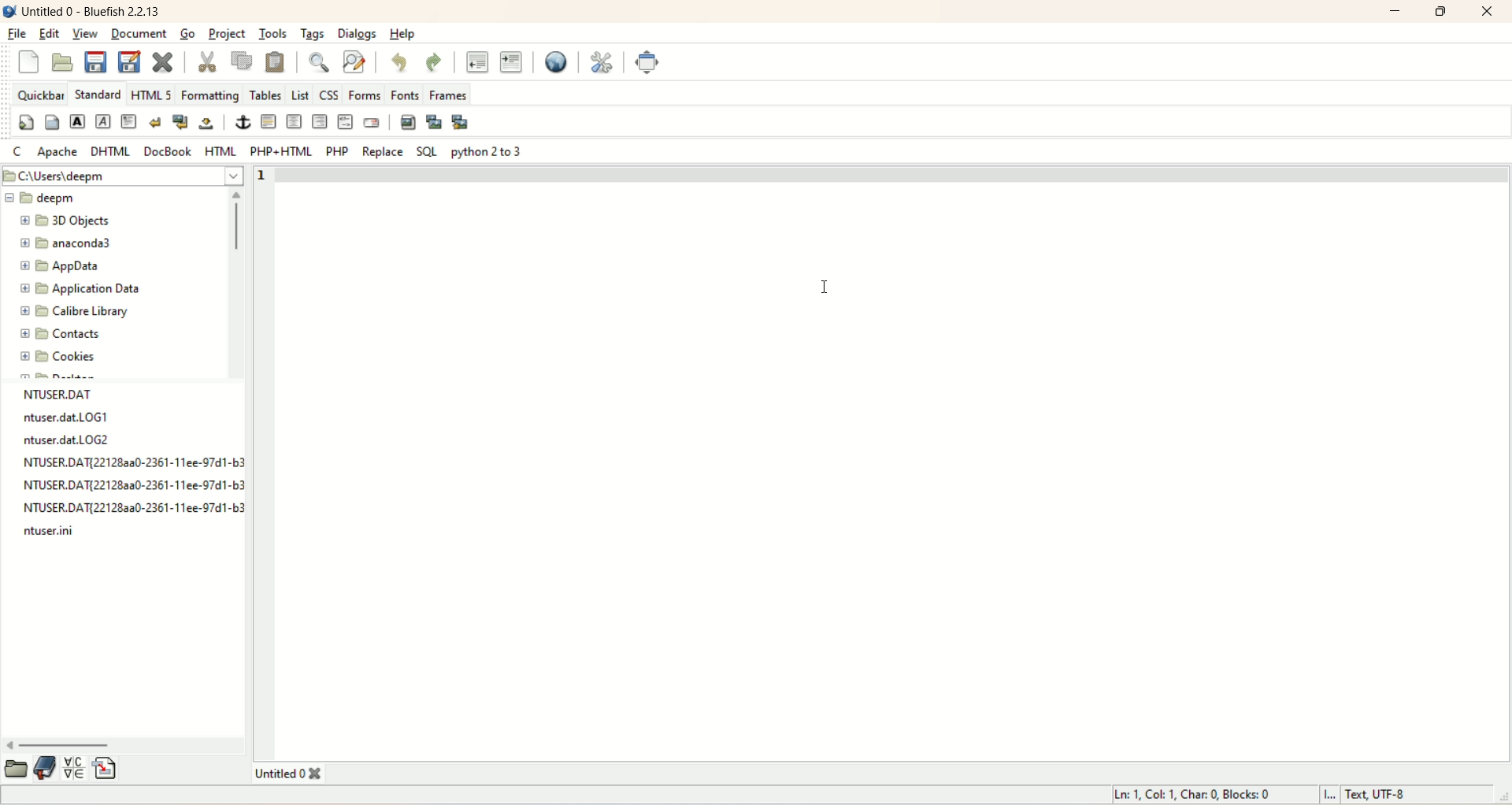 This screenshot has height=805, width=1512. Describe the element at coordinates (127, 487) in the screenshot. I see `file` at that location.